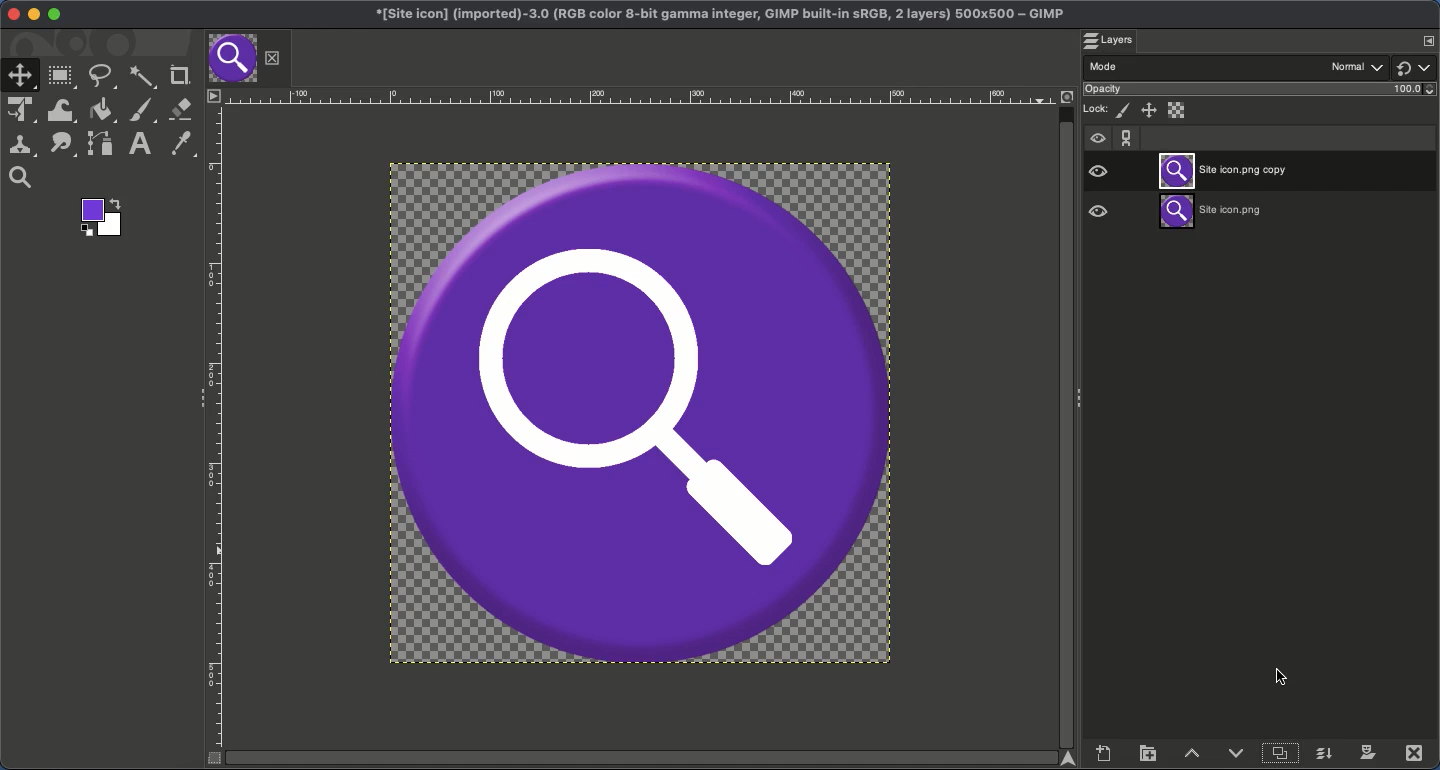 Image resolution: width=1440 pixels, height=770 pixels. I want to click on Rectangular selector, so click(60, 78).